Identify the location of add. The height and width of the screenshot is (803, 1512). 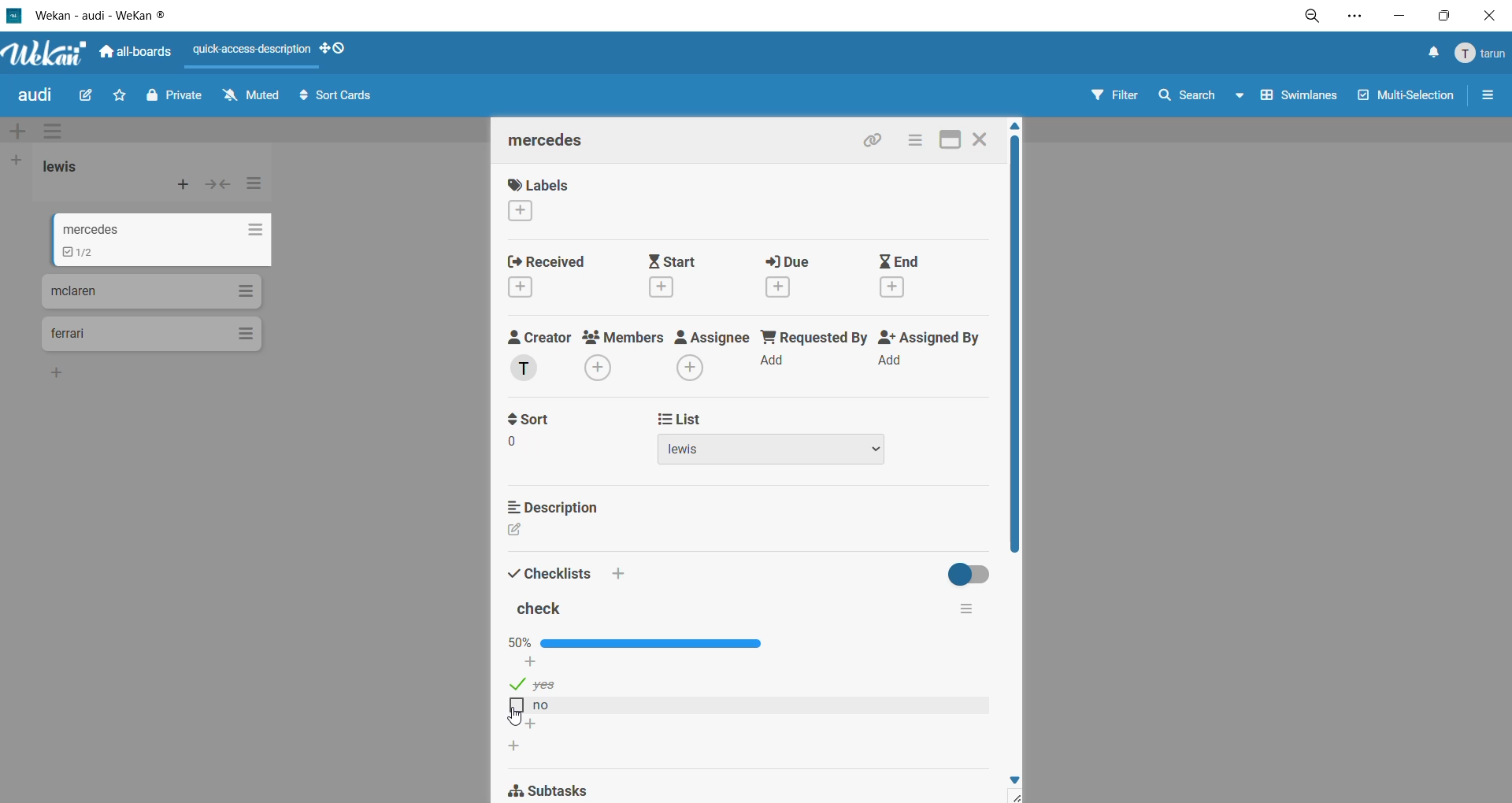
(513, 747).